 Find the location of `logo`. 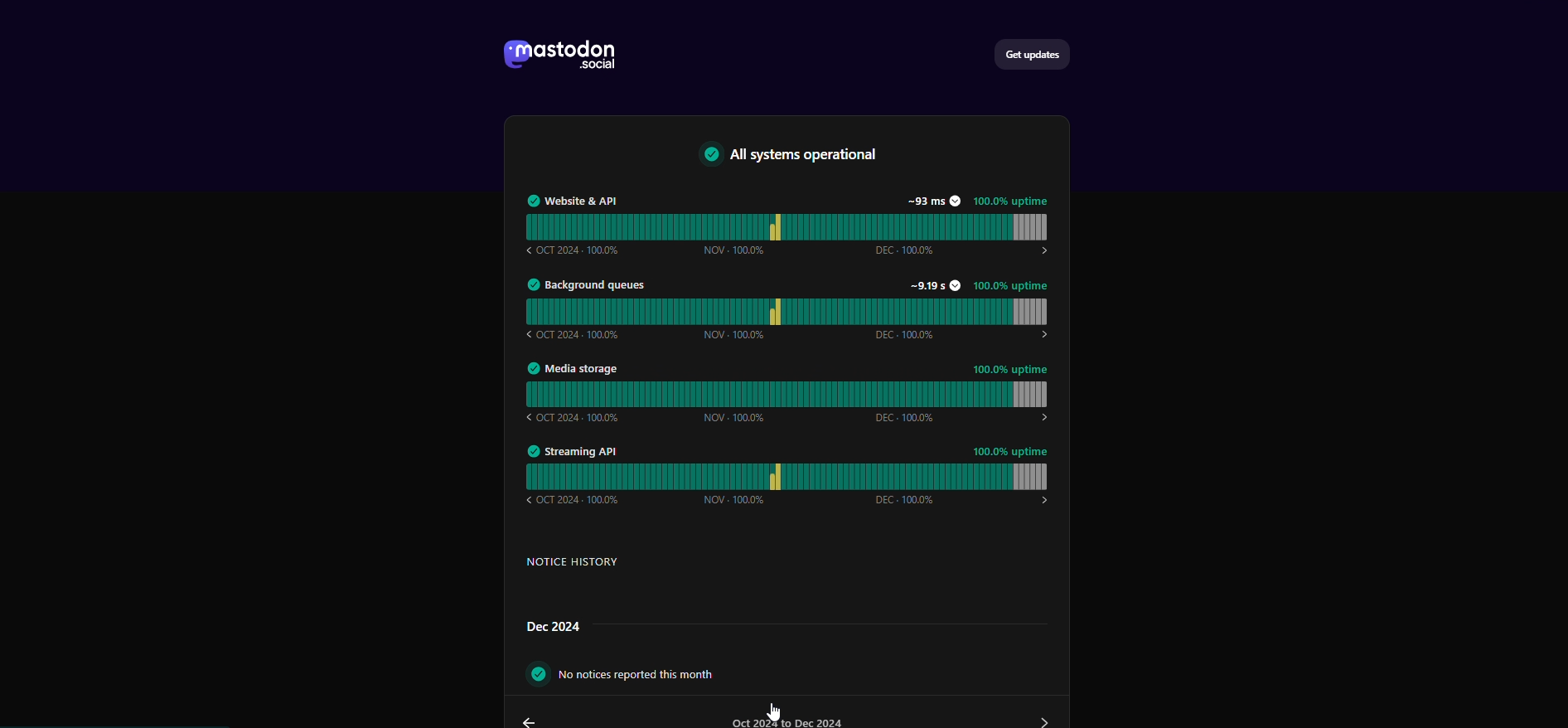

logo is located at coordinates (564, 56).